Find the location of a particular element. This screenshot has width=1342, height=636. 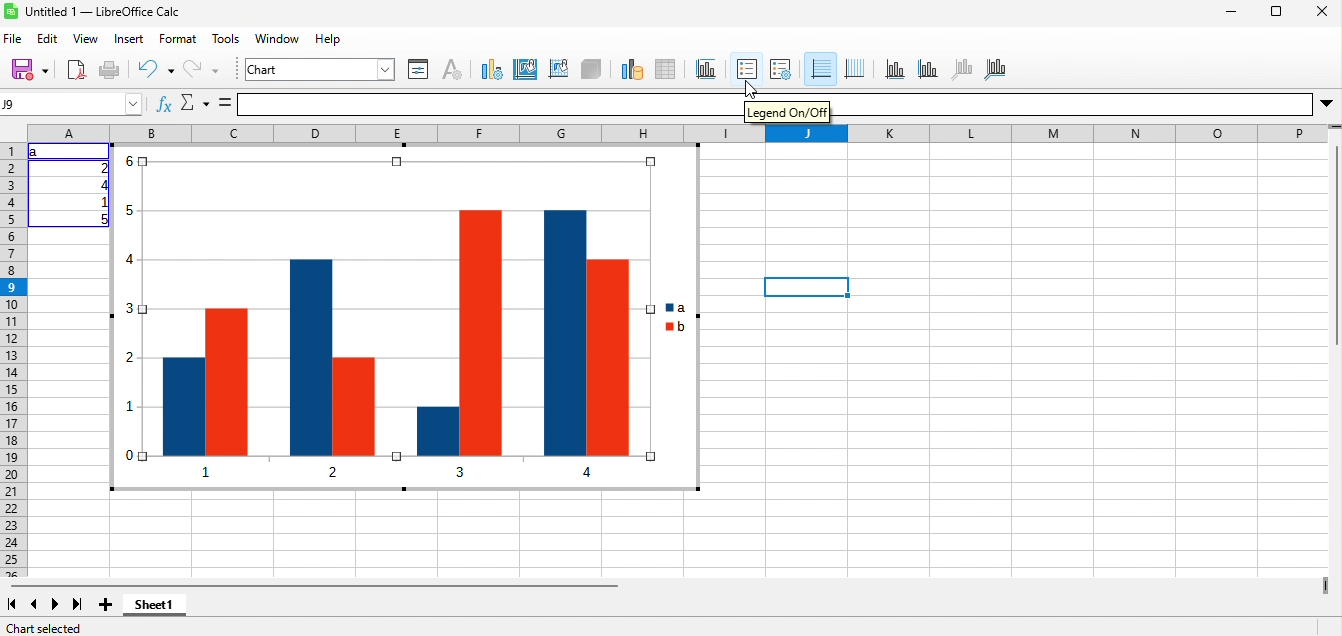

Vertical slide bar is located at coordinates (1336, 244).